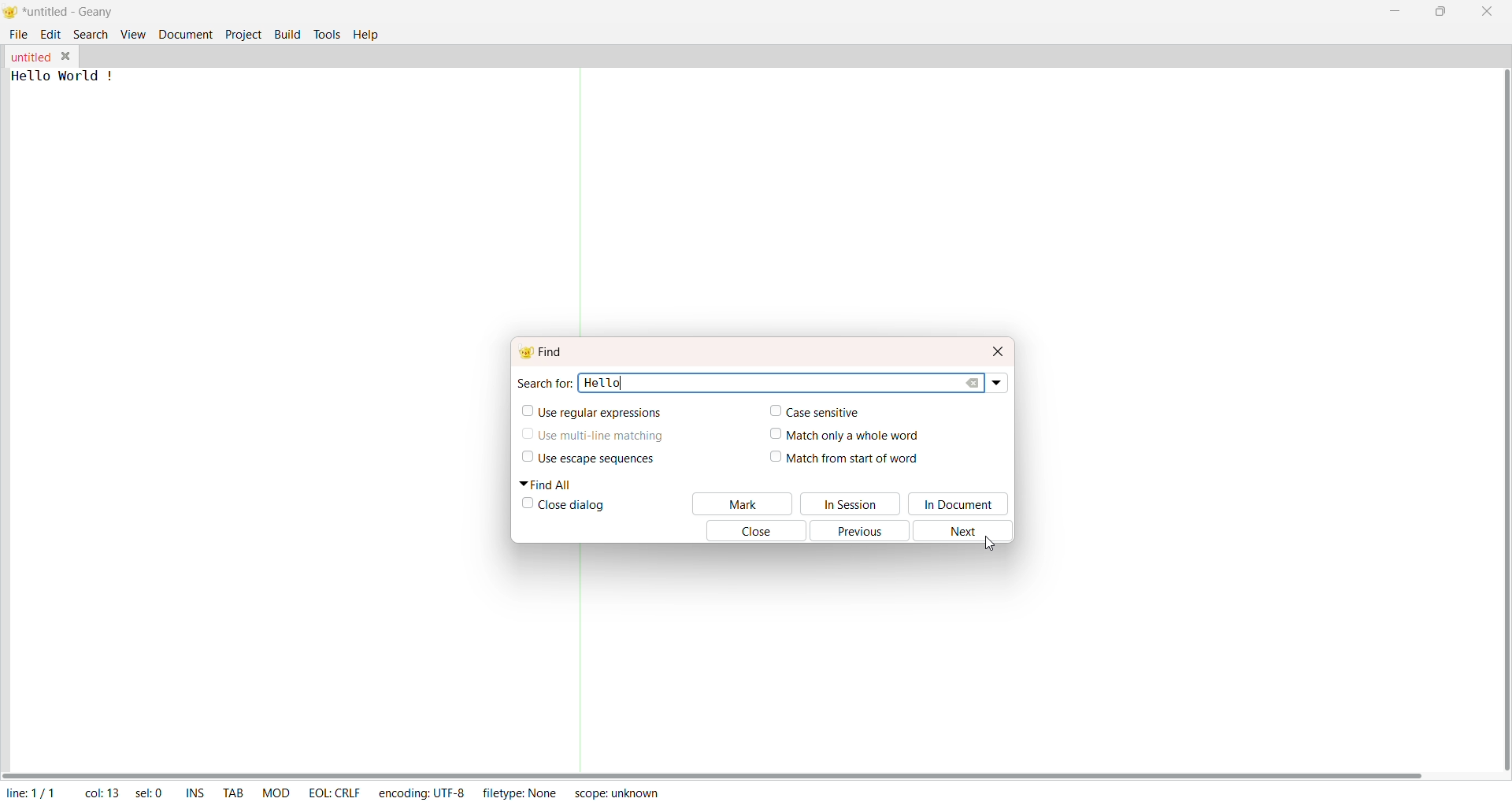 The width and height of the screenshot is (1512, 802). I want to click on Close Dialog Box, so click(998, 350).